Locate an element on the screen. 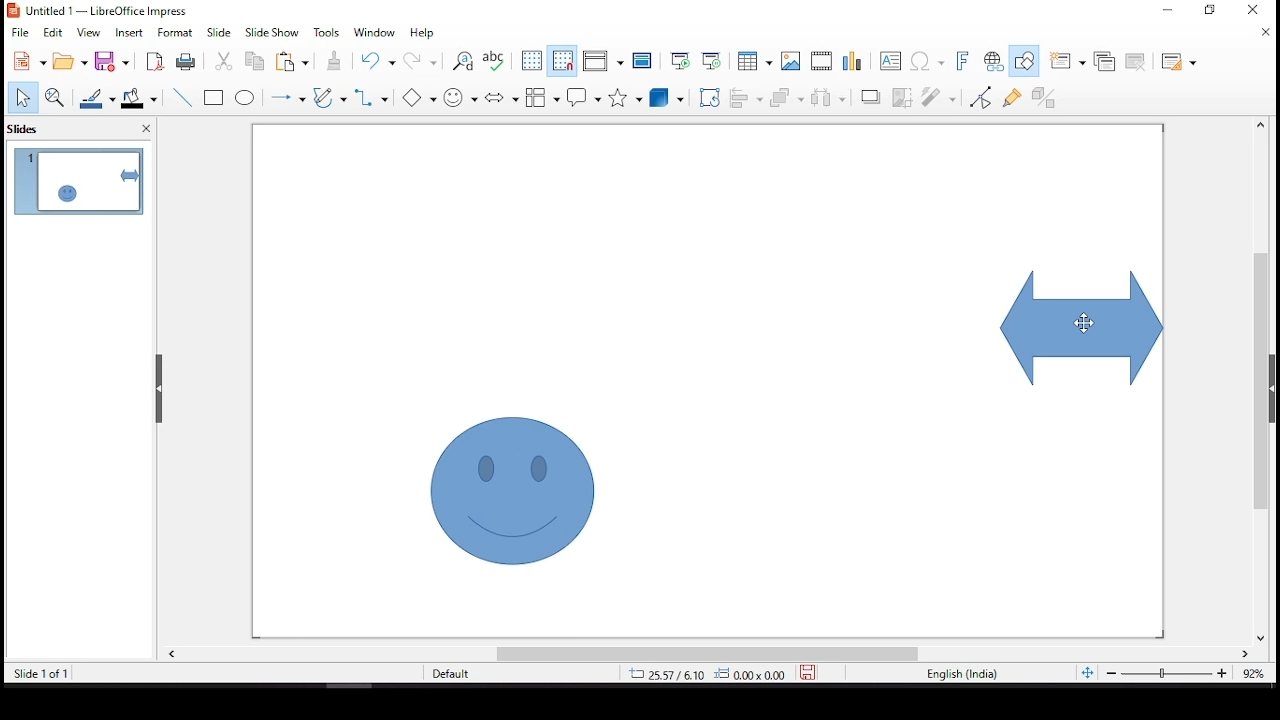  new slide is located at coordinates (1065, 61).